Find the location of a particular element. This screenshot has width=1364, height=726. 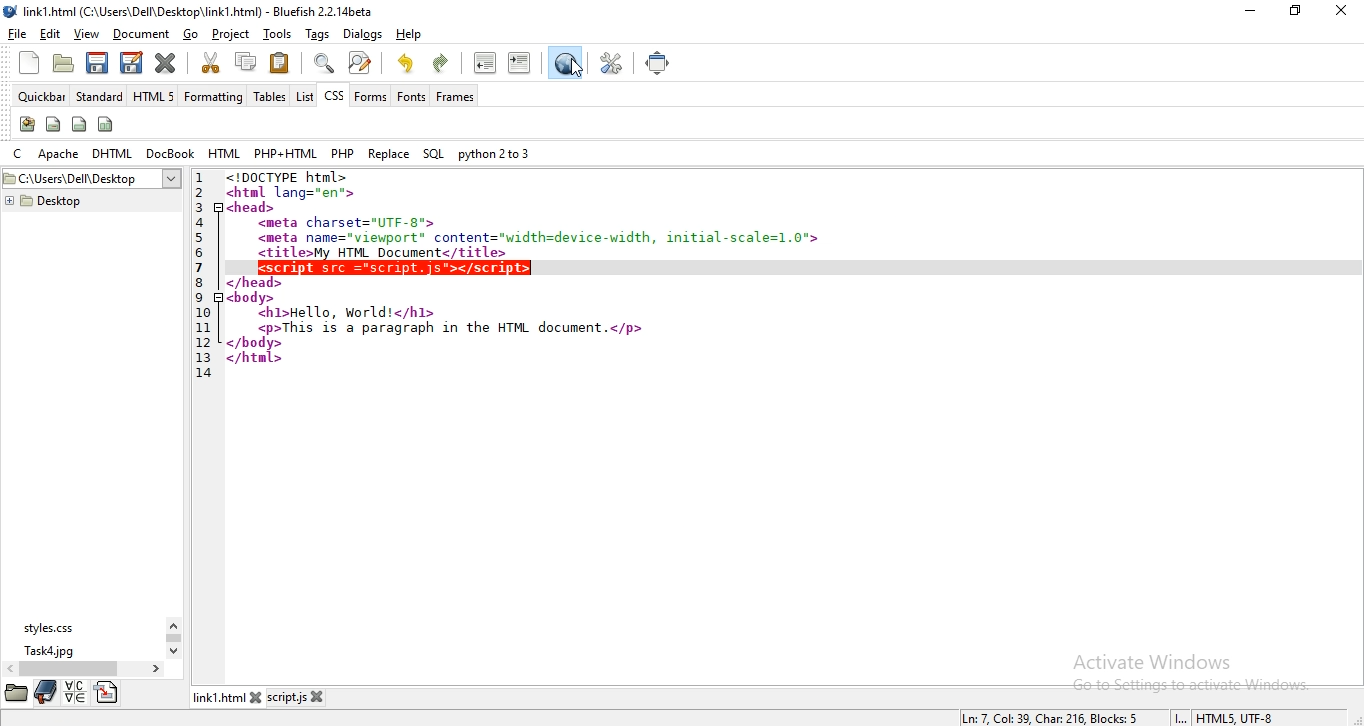

11 is located at coordinates (203, 328).